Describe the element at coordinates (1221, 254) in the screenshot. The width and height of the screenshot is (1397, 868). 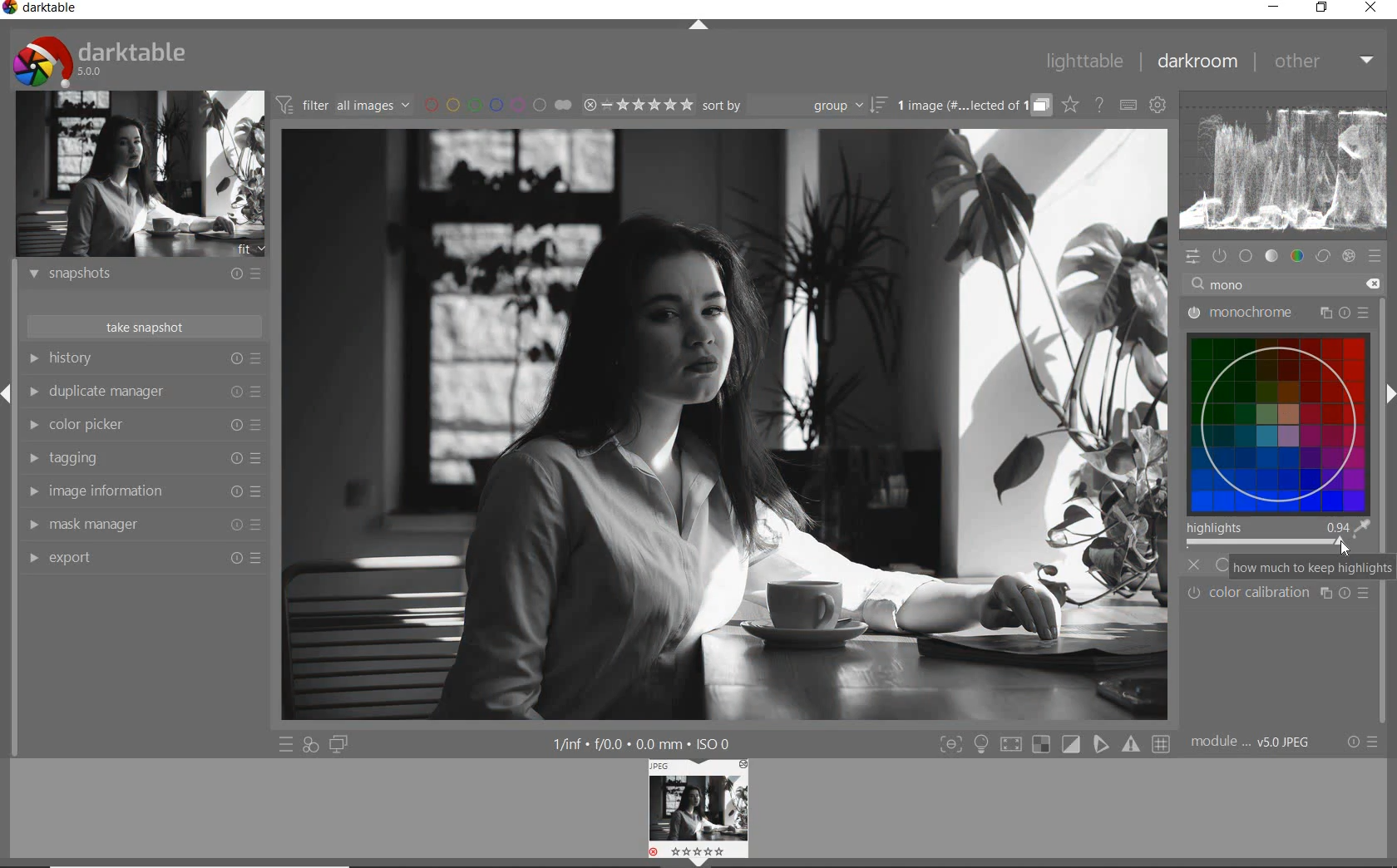
I see `show only active modules` at that location.